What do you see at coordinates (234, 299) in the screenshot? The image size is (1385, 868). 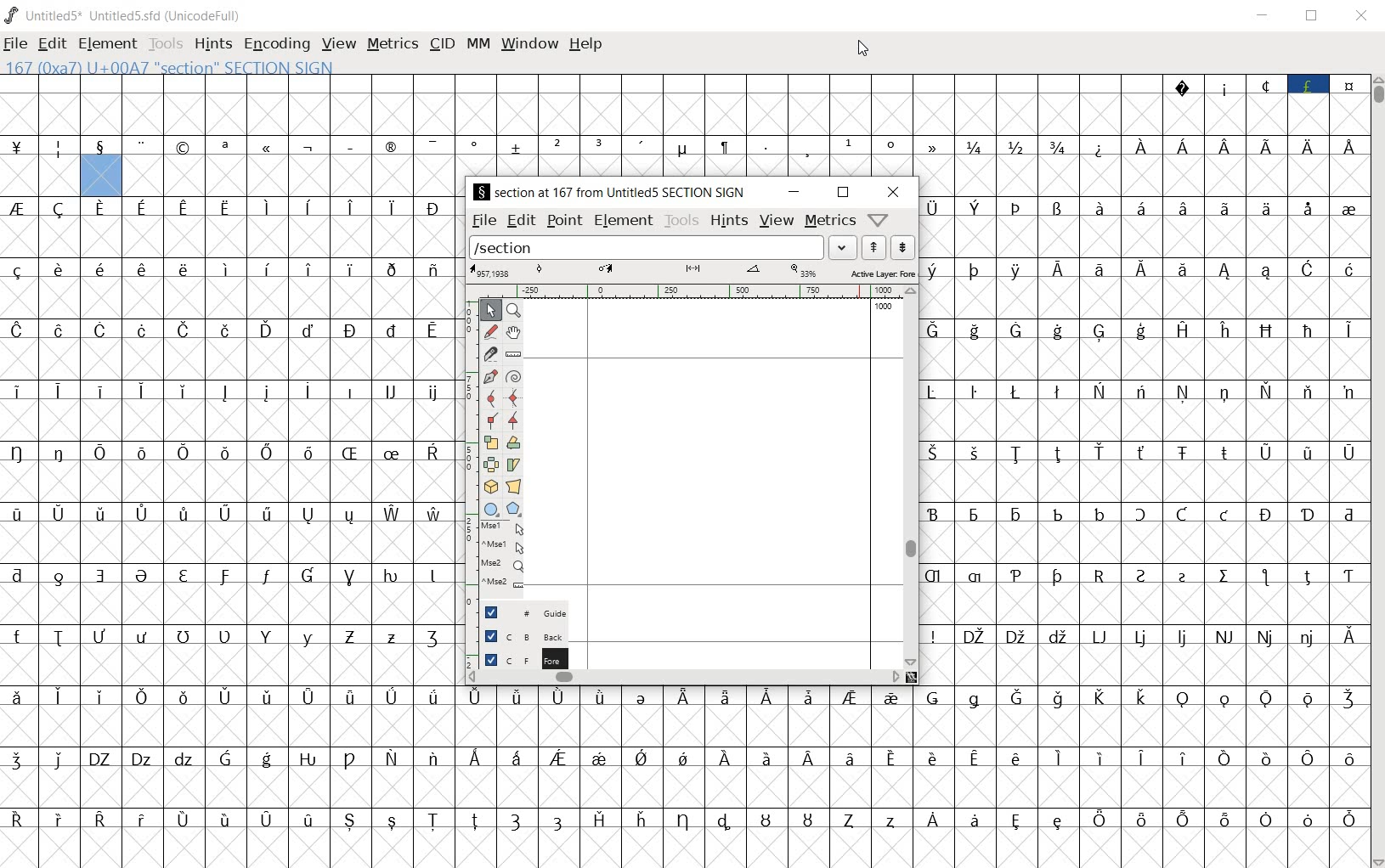 I see `empty cells` at bounding box center [234, 299].